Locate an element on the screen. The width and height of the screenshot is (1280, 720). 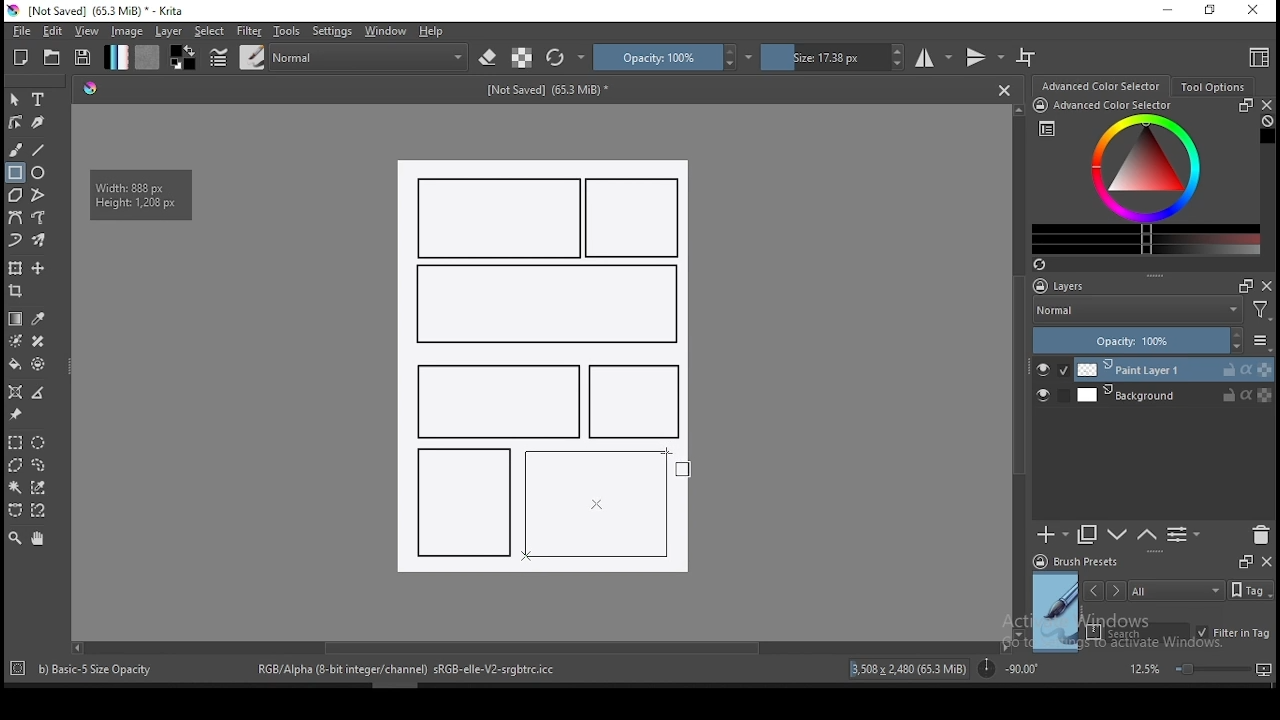
opacity is located at coordinates (673, 57).